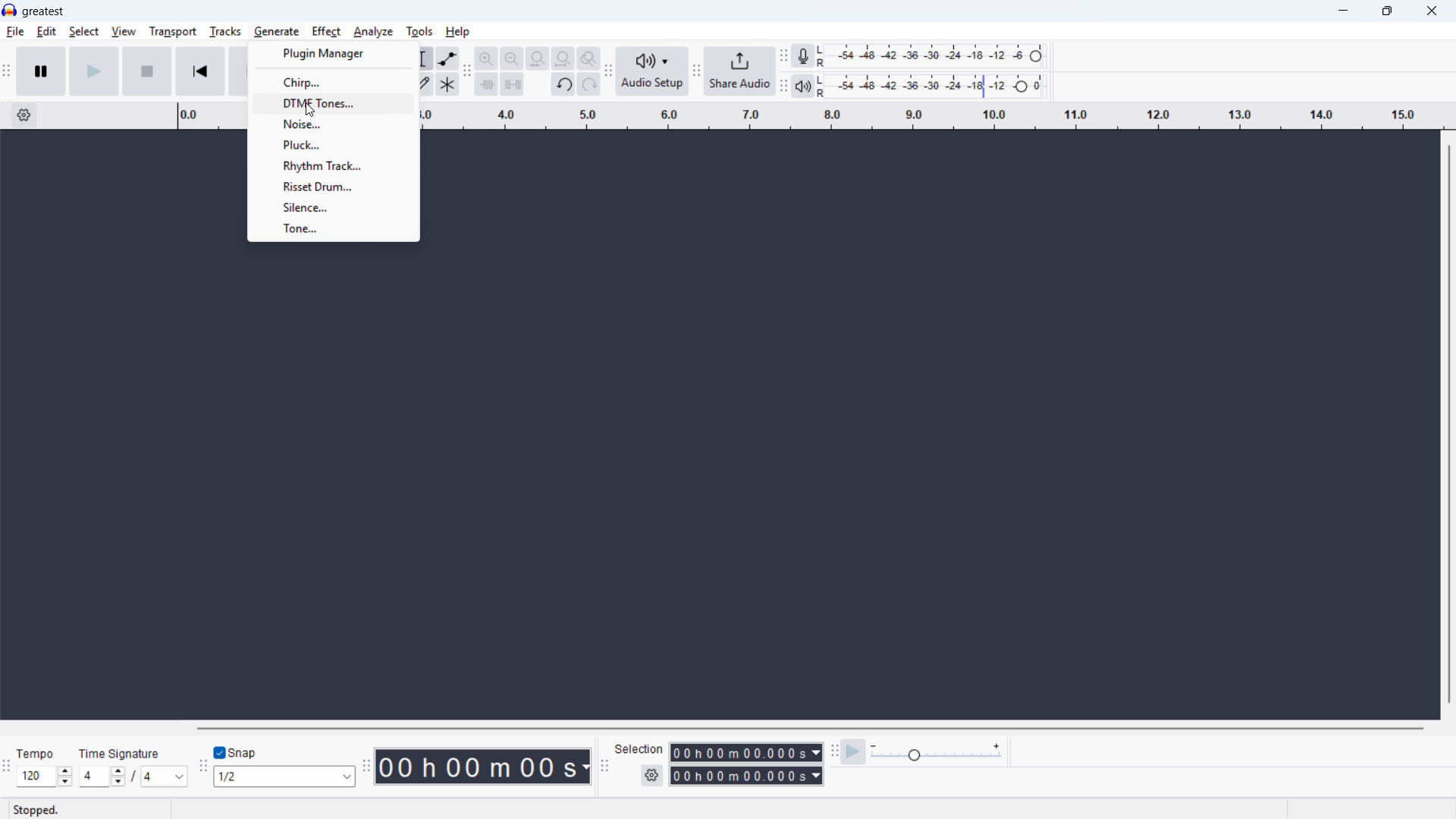  I want to click on Selection settings , so click(651, 775).